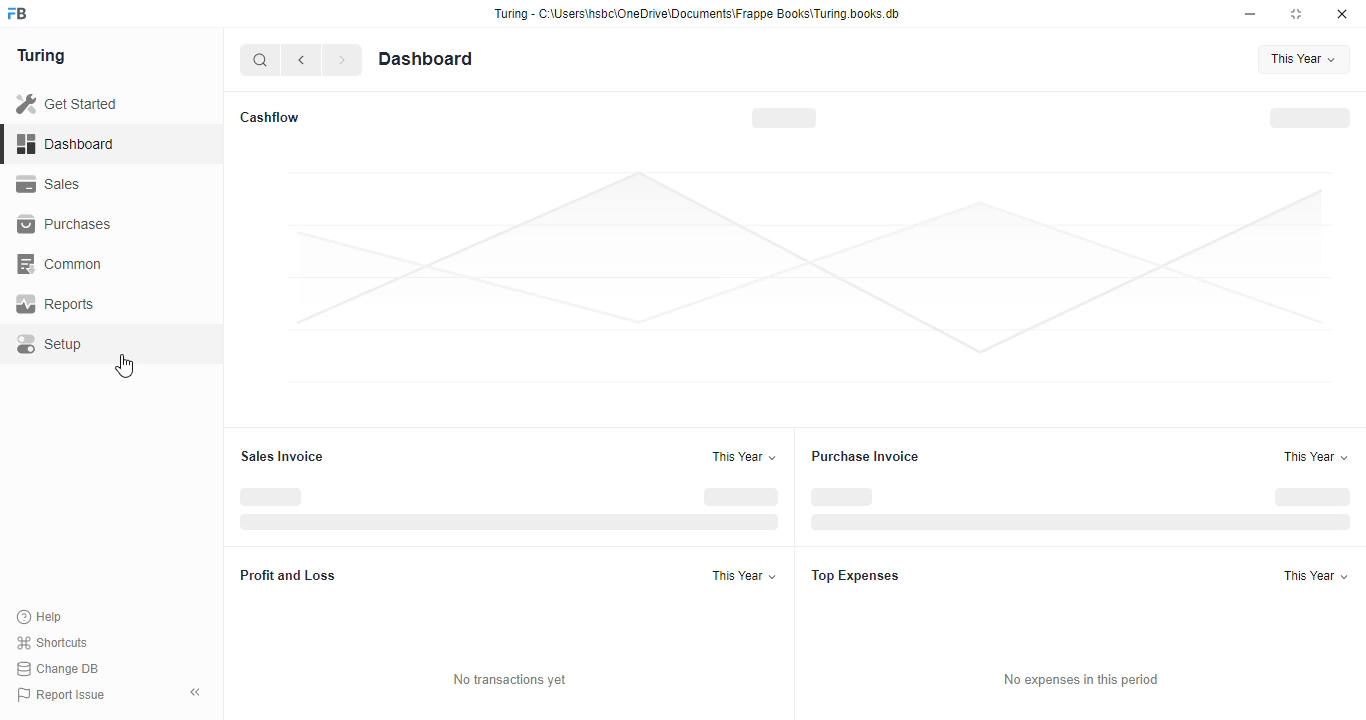  I want to click on Turing - C:\Users\hshc\OneDrive\Documents\Frappe Books\Turing.books.db, so click(699, 14).